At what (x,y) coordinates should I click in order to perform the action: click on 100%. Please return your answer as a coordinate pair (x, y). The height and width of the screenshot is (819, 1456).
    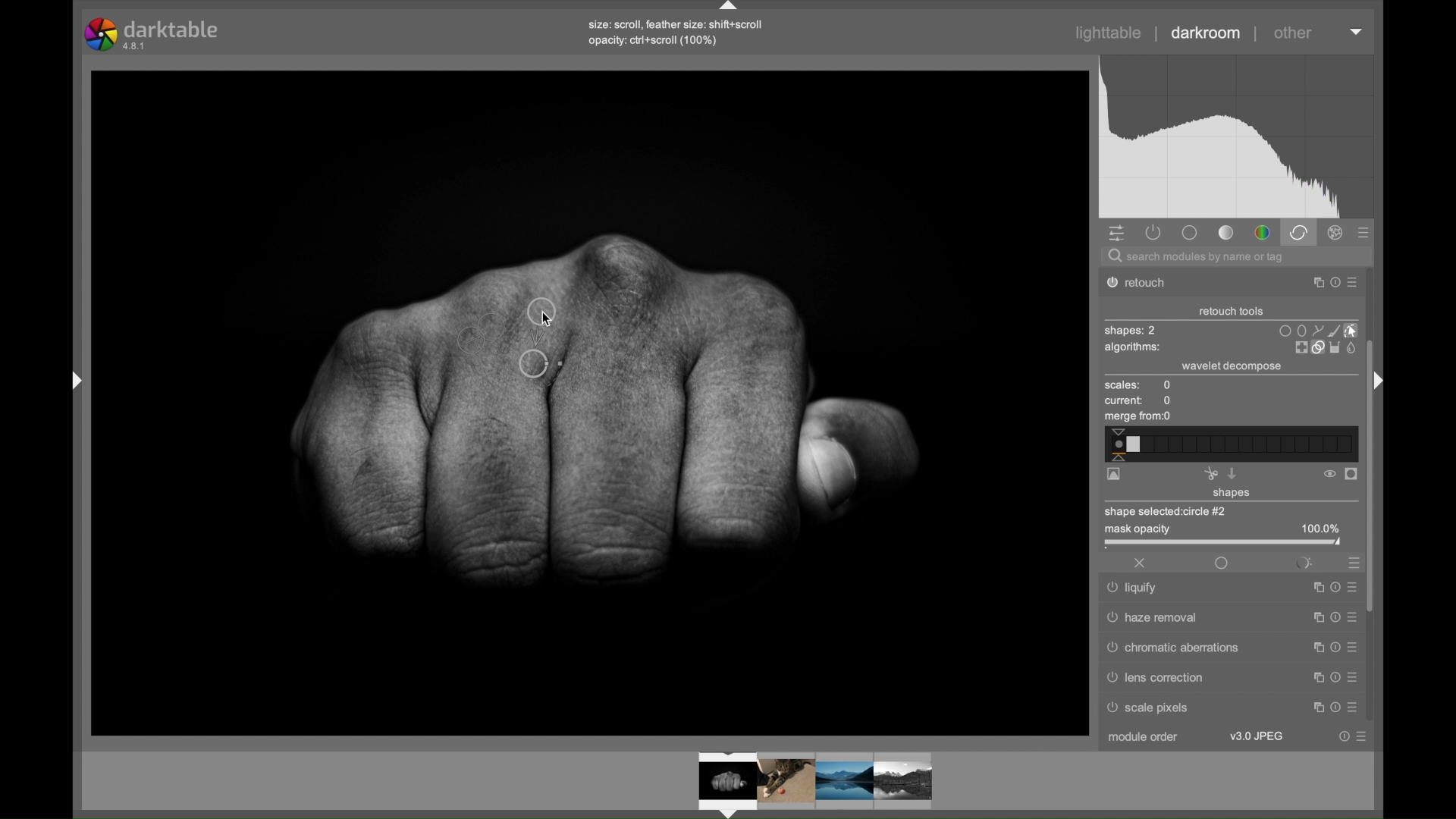
    Looking at the image, I should click on (1320, 529).